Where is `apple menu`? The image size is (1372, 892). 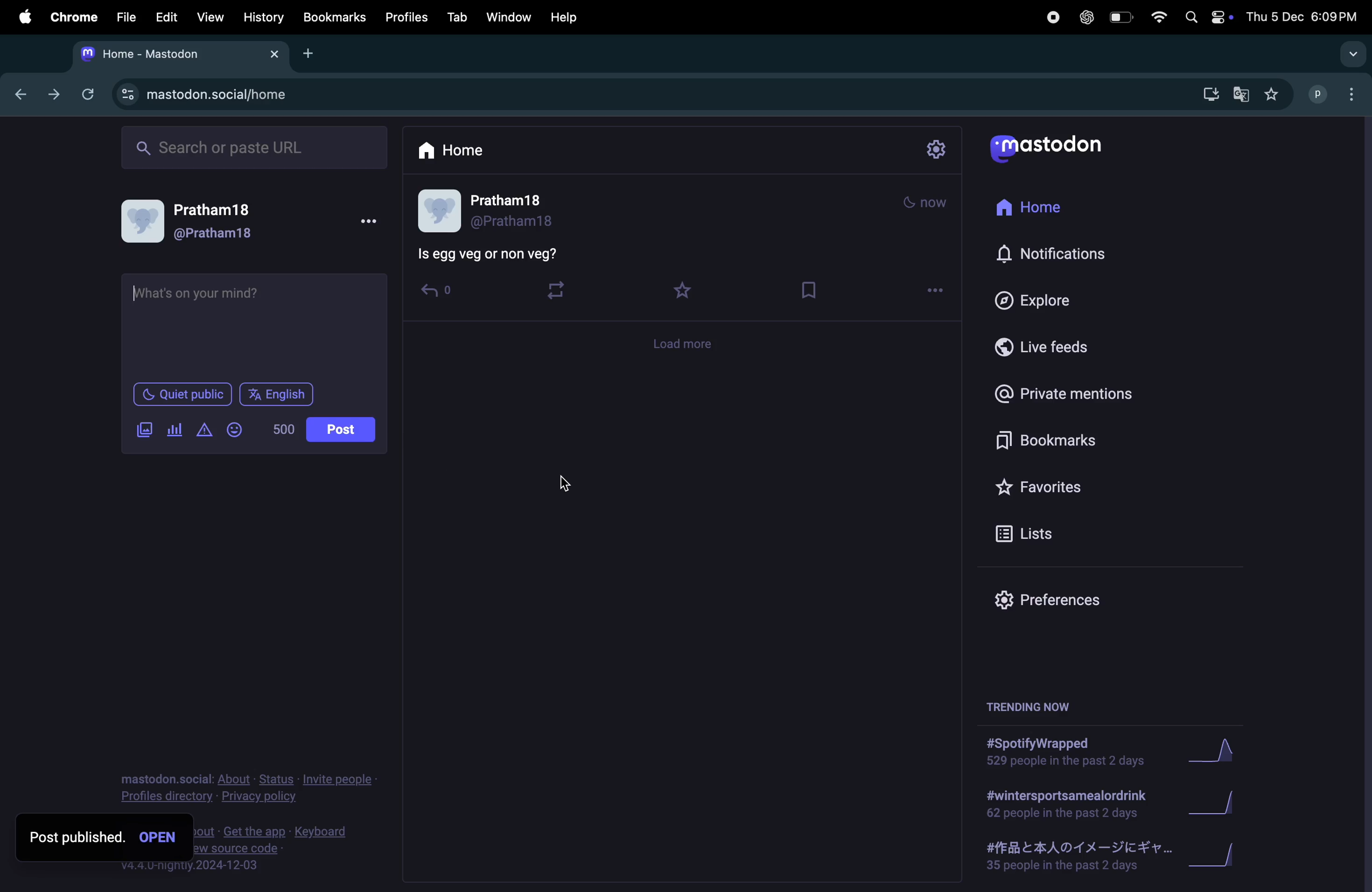
apple menu is located at coordinates (24, 17).